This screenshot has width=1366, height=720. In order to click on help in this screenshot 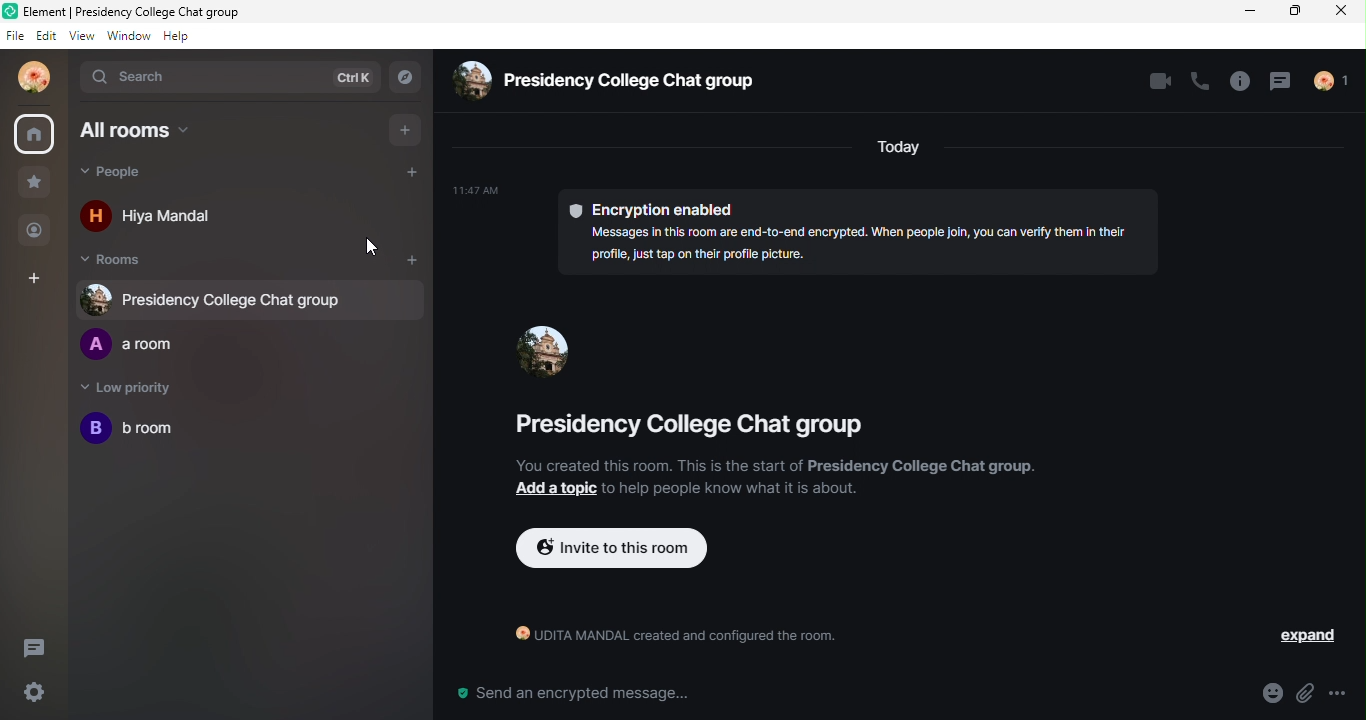, I will do `click(176, 39)`.